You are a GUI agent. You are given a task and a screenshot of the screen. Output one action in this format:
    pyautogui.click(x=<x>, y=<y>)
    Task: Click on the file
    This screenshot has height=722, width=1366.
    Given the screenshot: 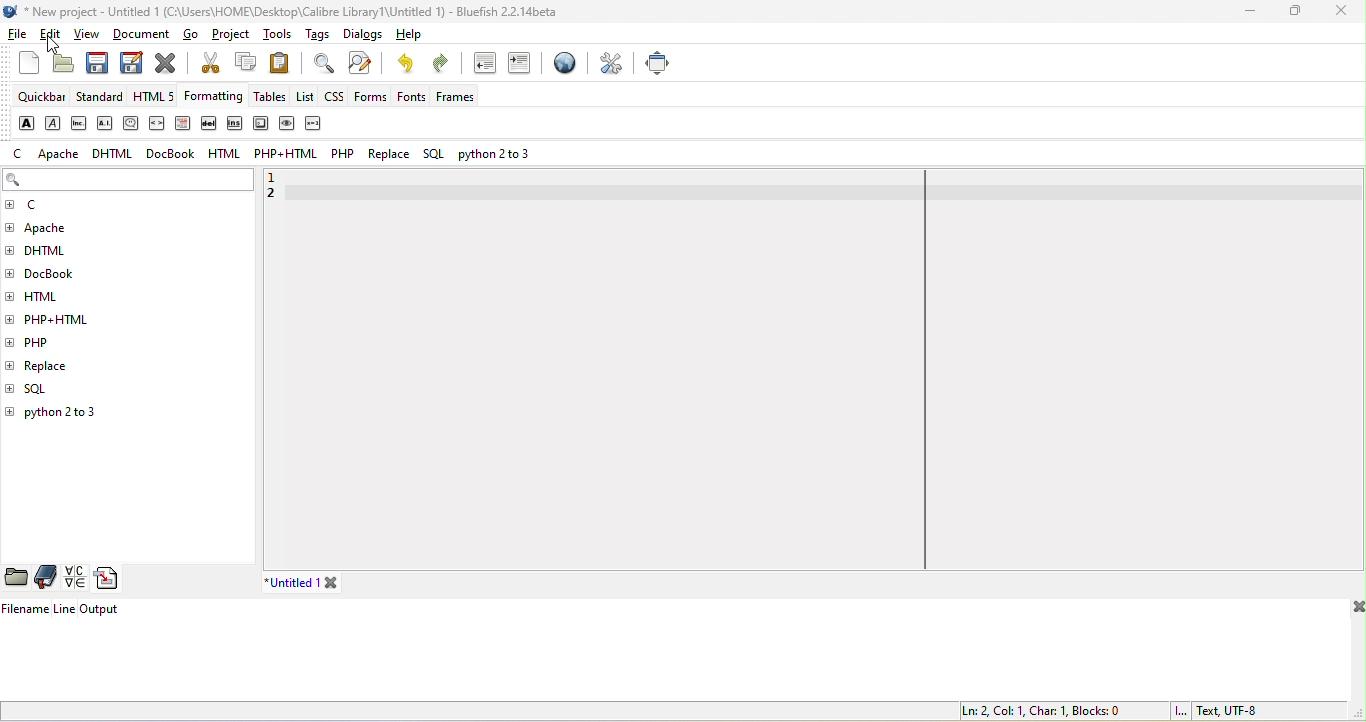 What is the action you would take?
    pyautogui.click(x=19, y=33)
    